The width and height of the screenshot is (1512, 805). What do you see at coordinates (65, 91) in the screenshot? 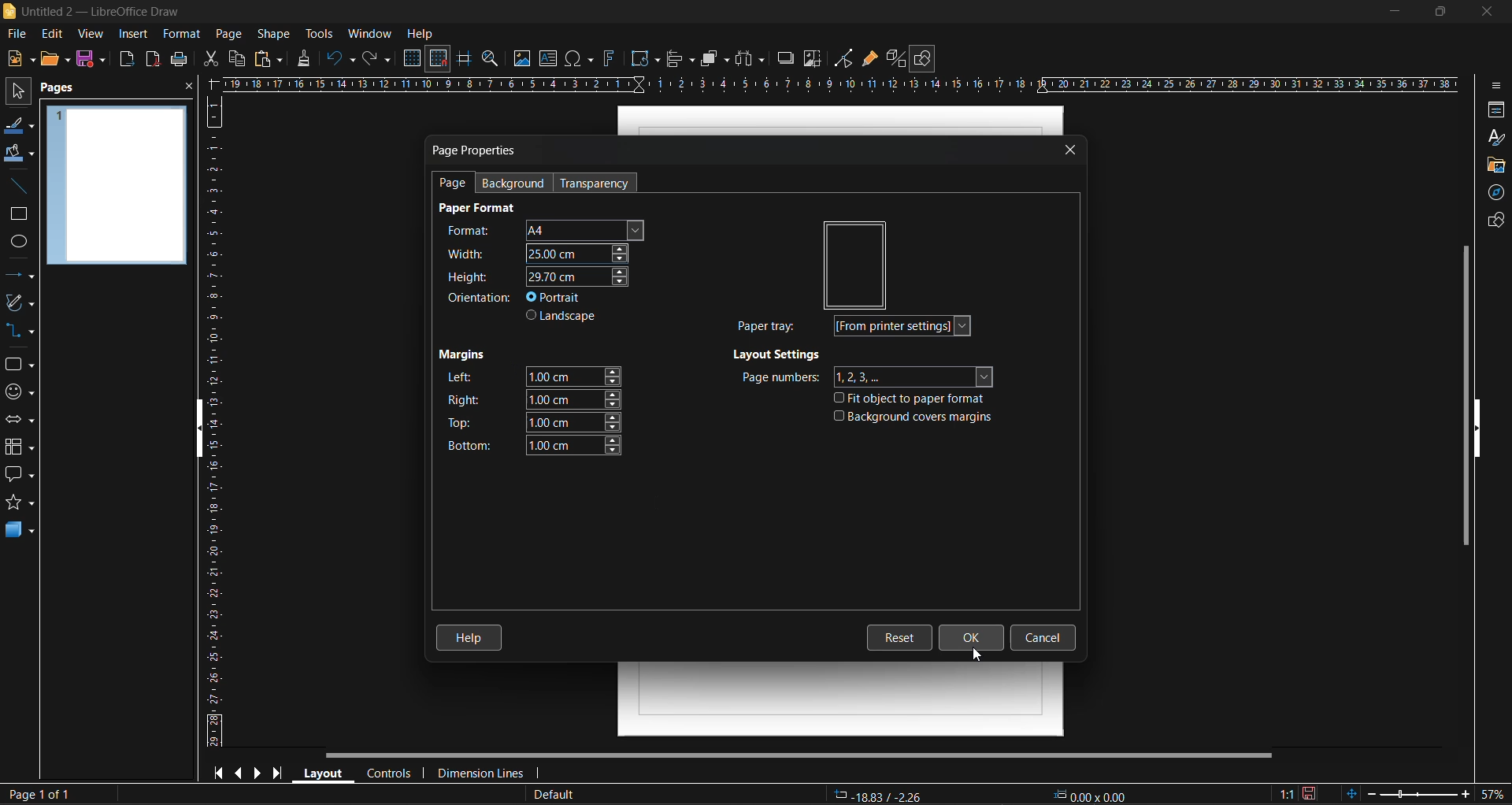
I see `pages` at bounding box center [65, 91].